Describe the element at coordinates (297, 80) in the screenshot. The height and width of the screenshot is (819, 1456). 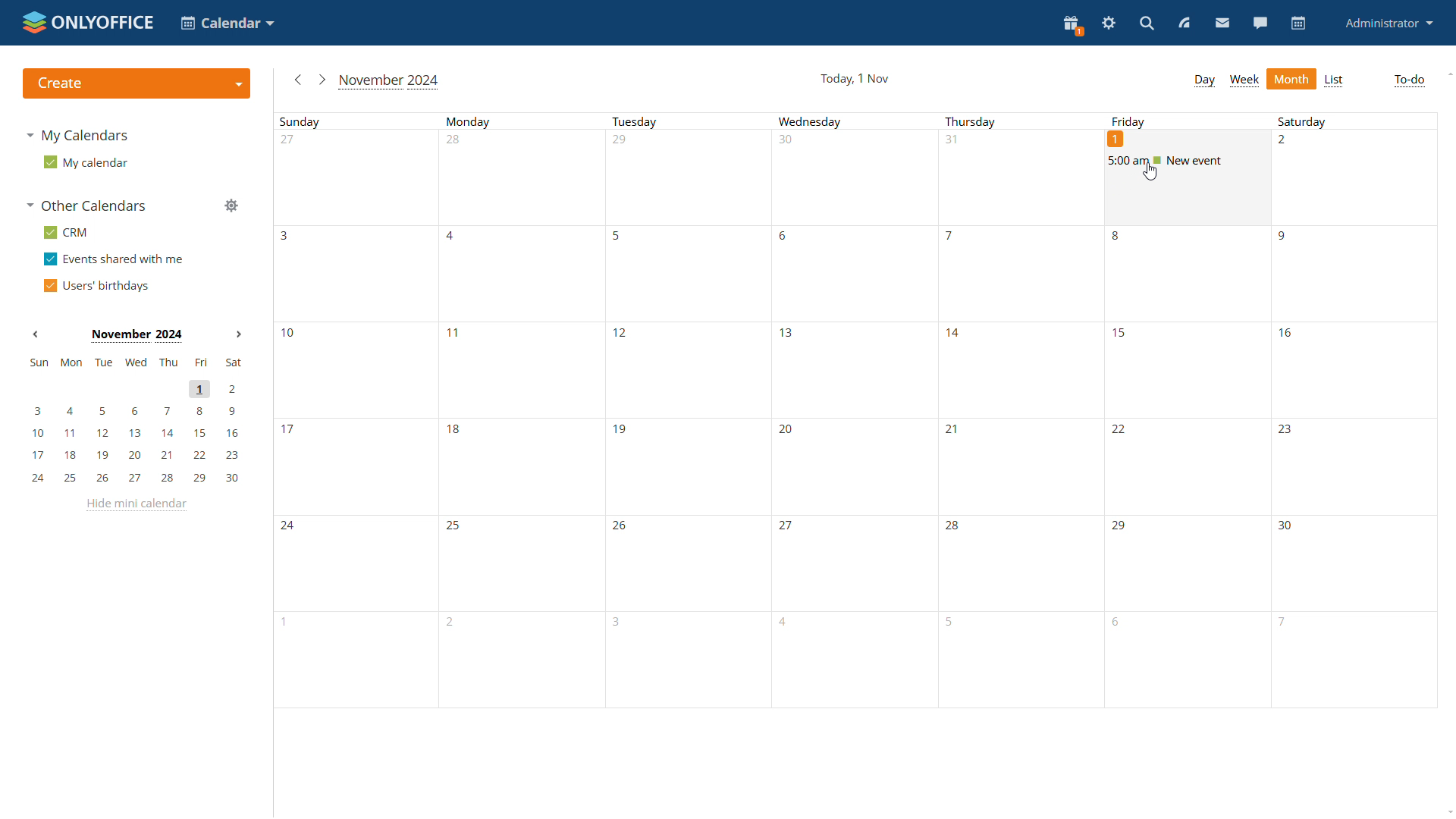
I see `go to previous month` at that location.